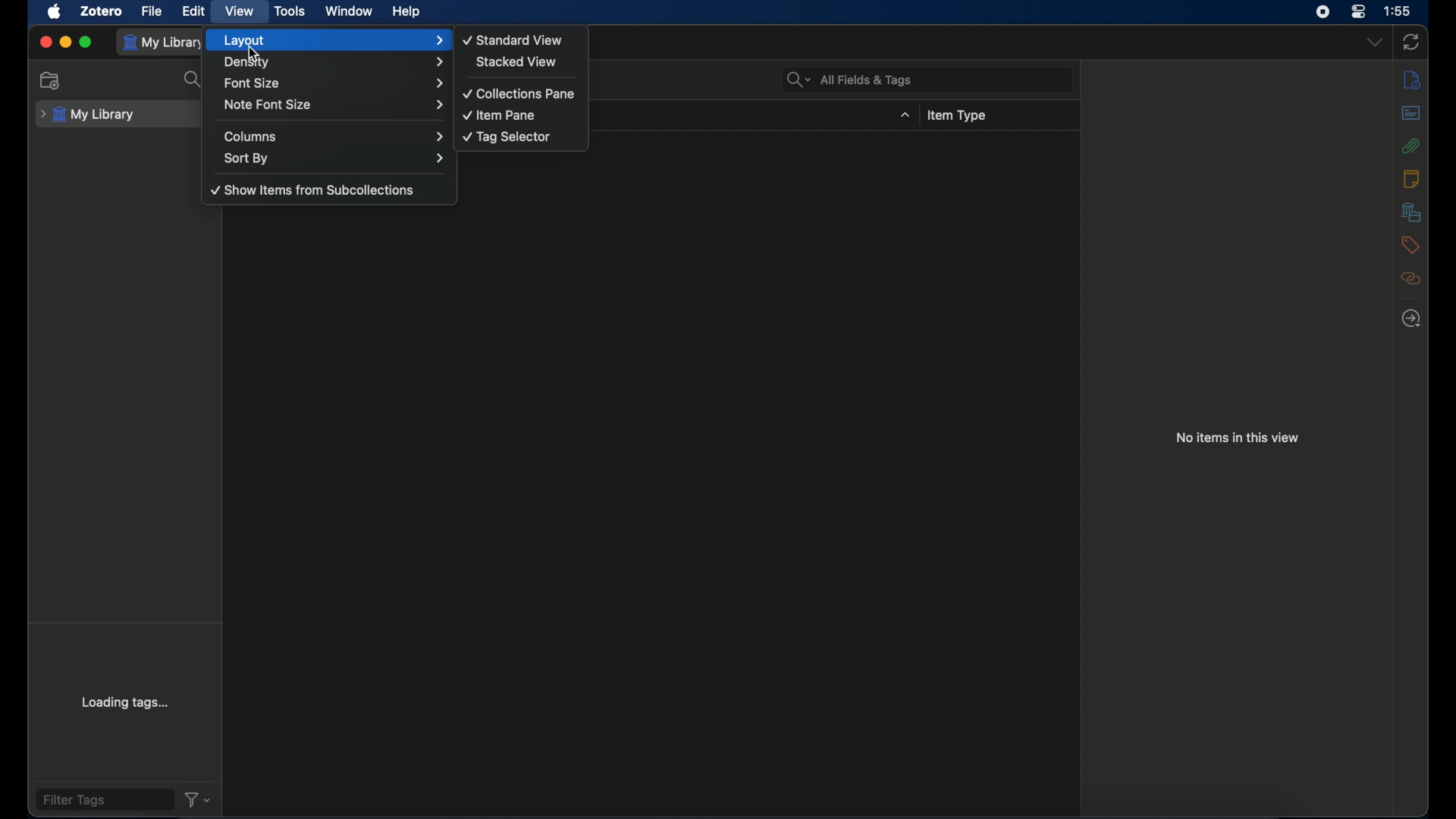  Describe the element at coordinates (74, 801) in the screenshot. I see `filter tags` at that location.